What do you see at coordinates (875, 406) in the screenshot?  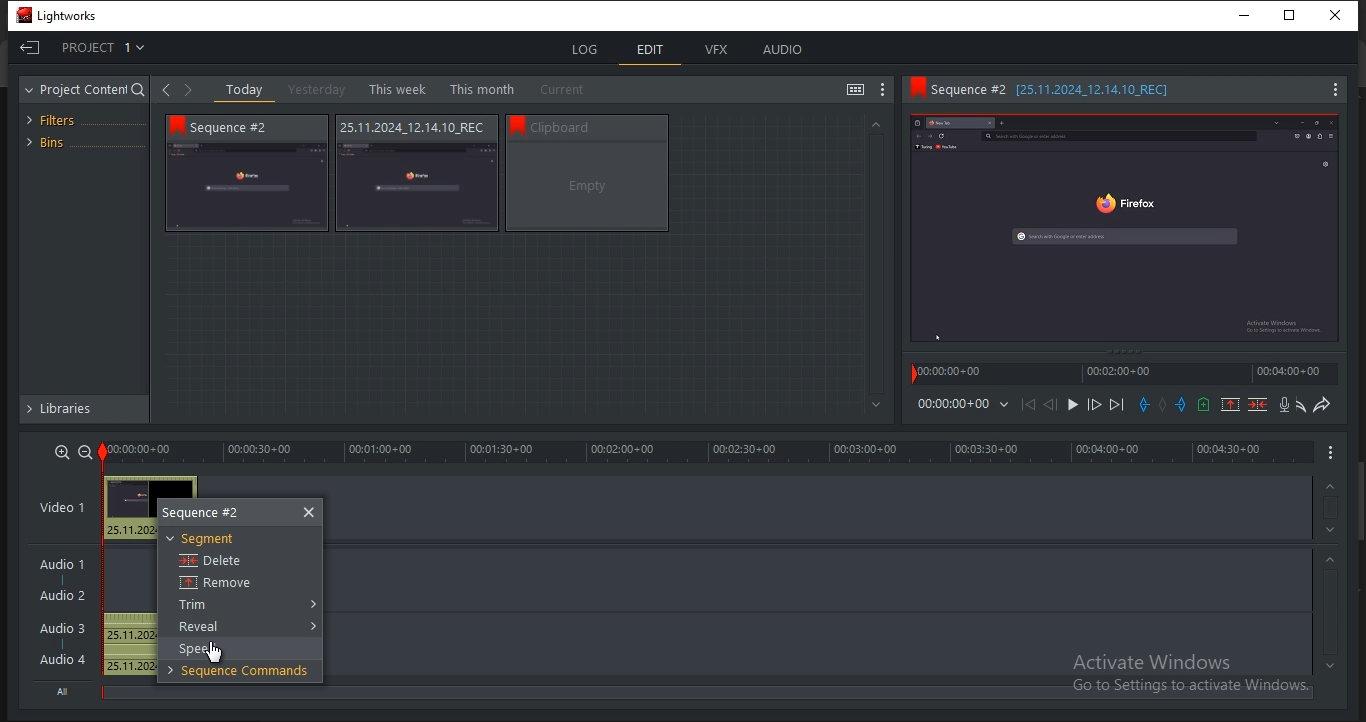 I see `Greyed out down arrow` at bounding box center [875, 406].